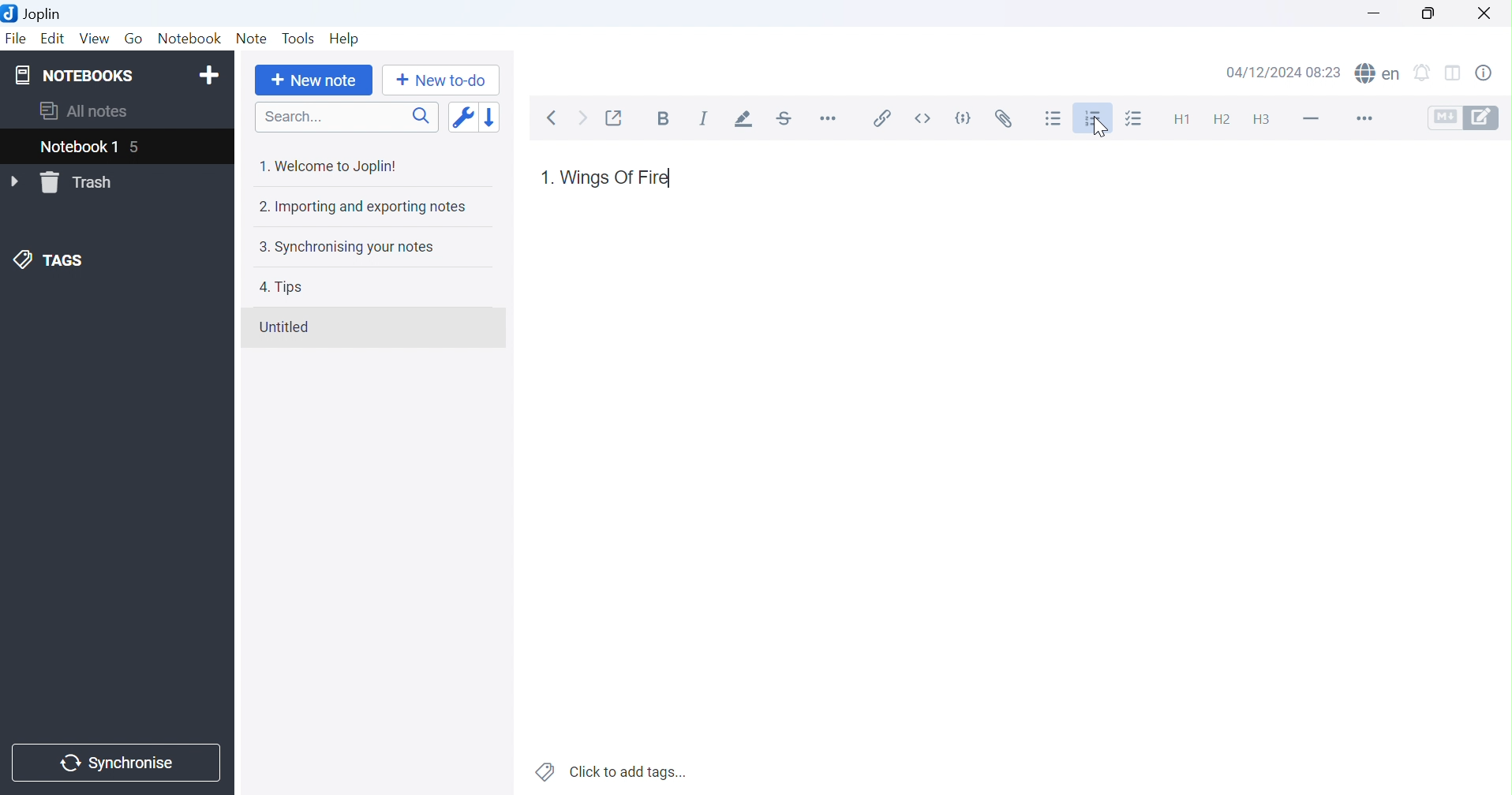  I want to click on Restore Down, so click(1427, 12).